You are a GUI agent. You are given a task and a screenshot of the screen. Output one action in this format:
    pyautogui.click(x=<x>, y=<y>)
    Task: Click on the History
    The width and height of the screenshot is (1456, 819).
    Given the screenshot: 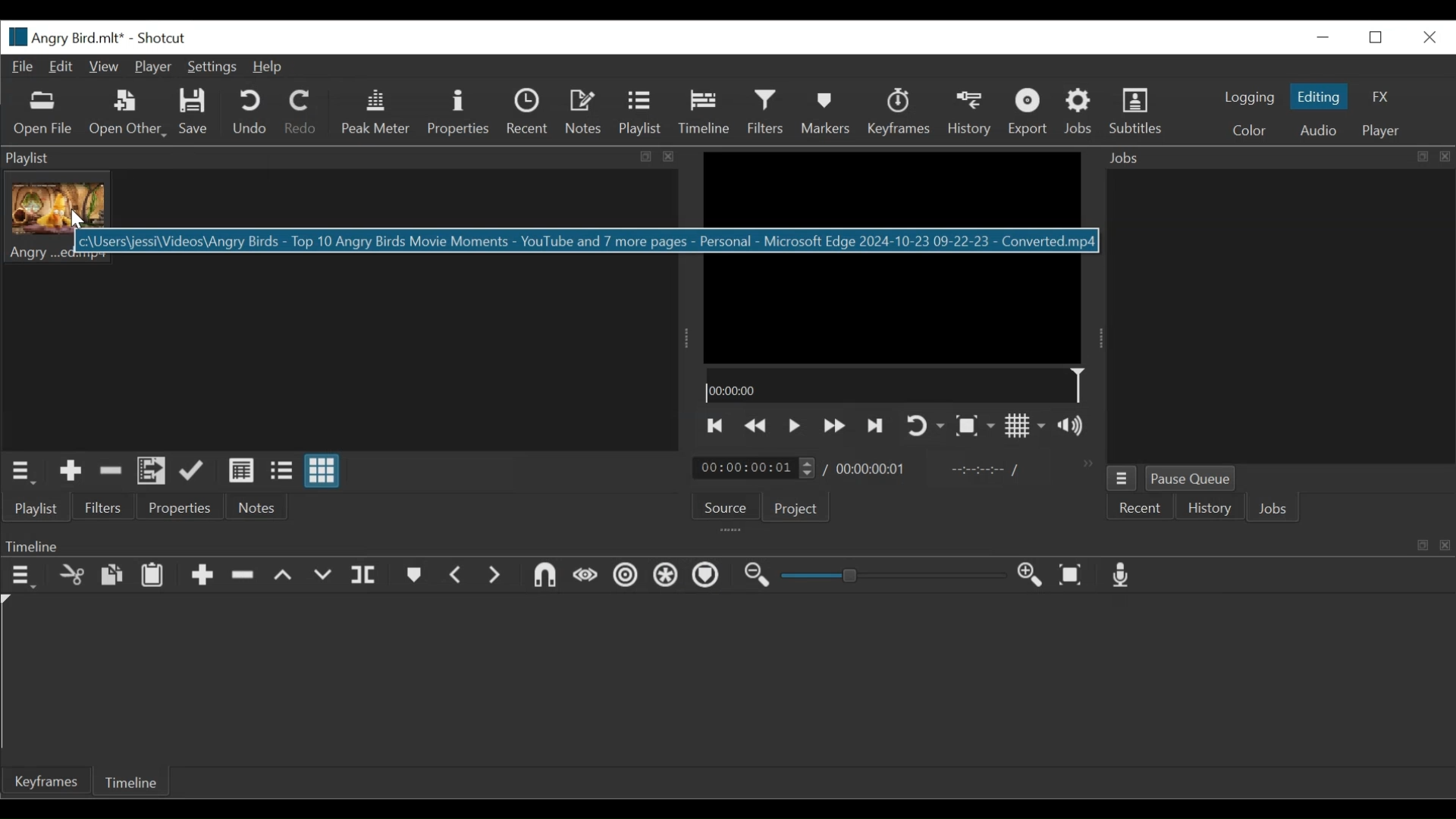 What is the action you would take?
    pyautogui.click(x=1210, y=510)
    